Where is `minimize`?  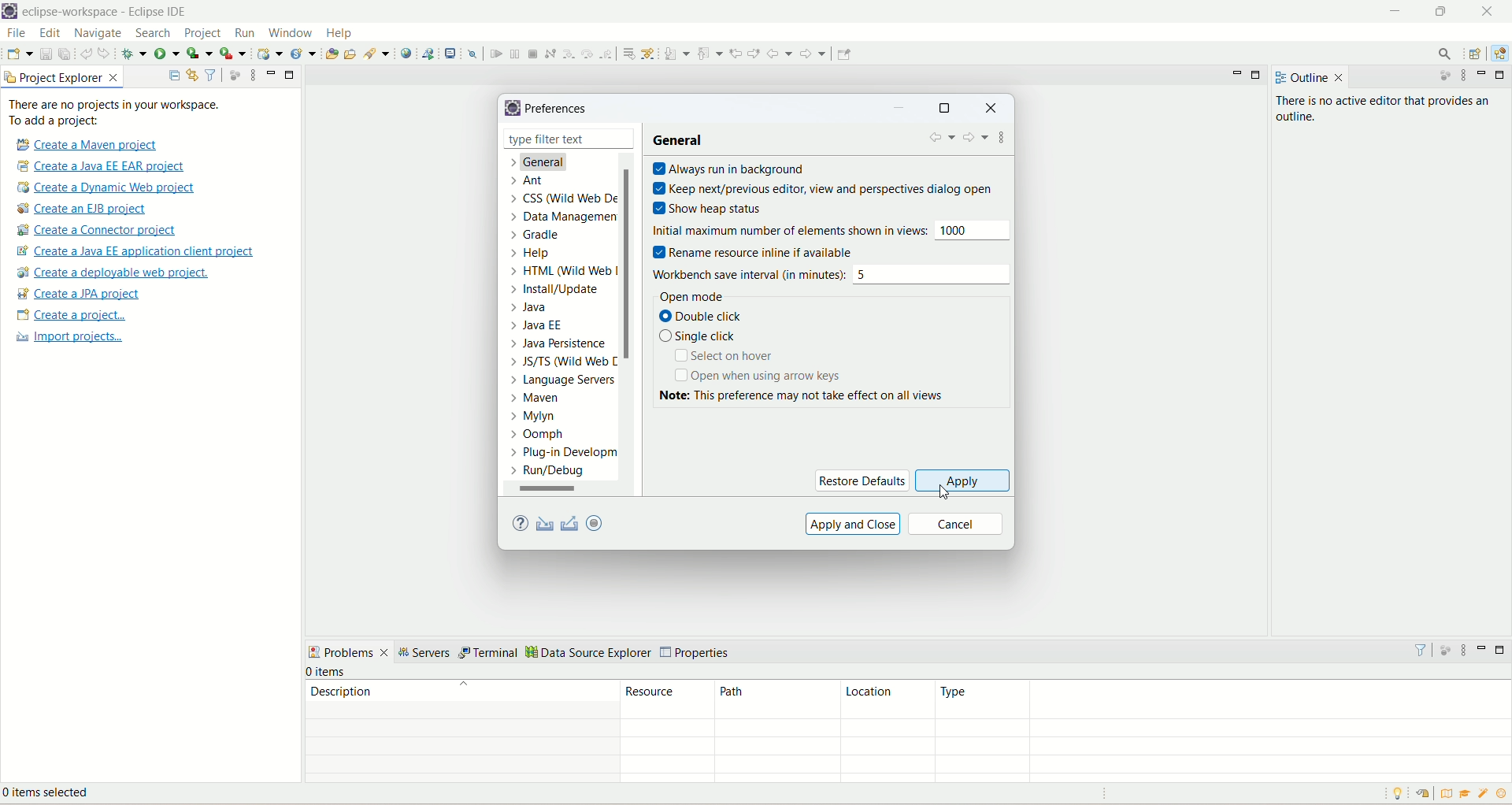
minimize is located at coordinates (1484, 74).